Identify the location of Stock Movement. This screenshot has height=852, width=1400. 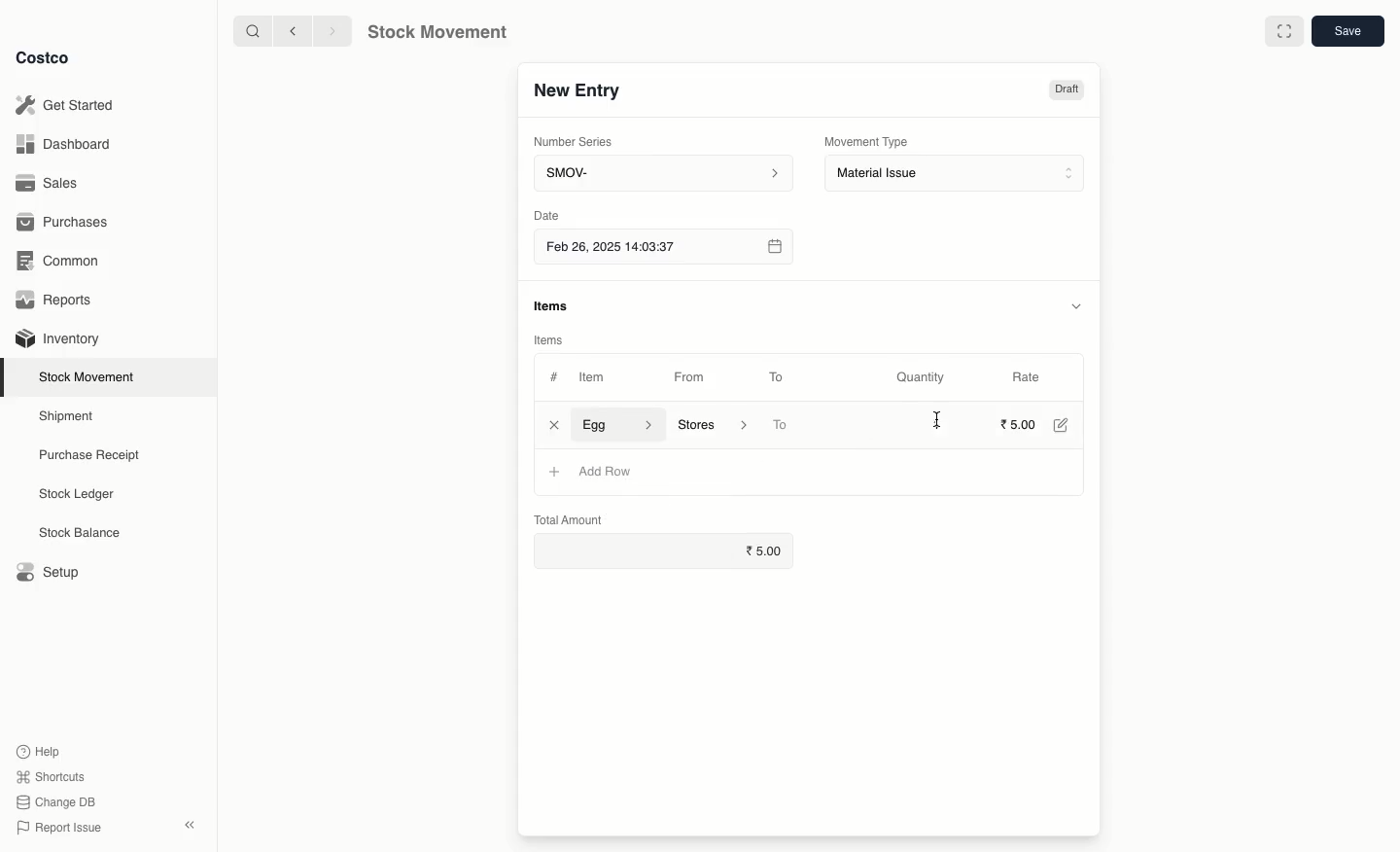
(90, 376).